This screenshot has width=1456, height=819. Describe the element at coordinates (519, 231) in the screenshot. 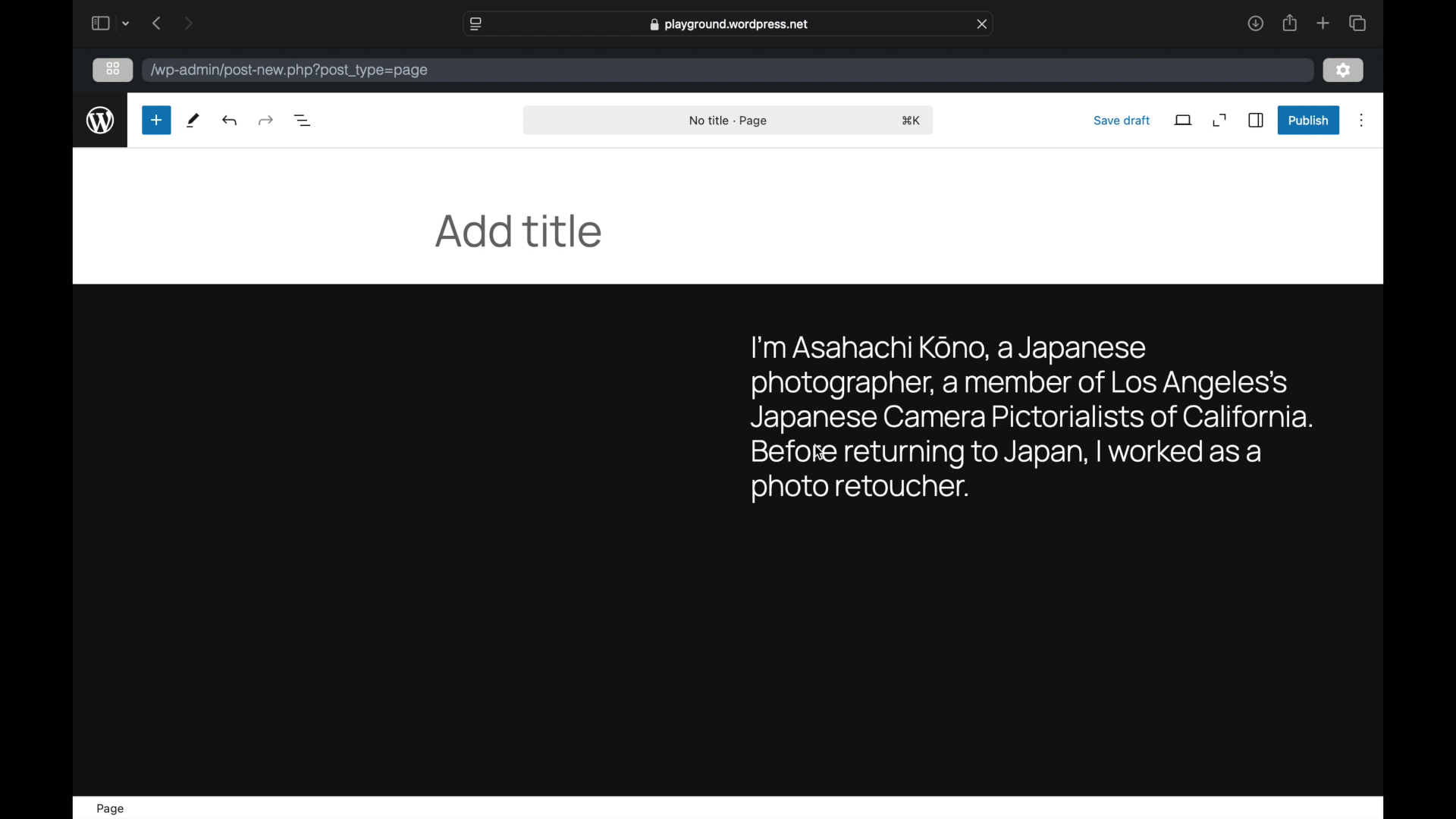

I see `add title` at that location.